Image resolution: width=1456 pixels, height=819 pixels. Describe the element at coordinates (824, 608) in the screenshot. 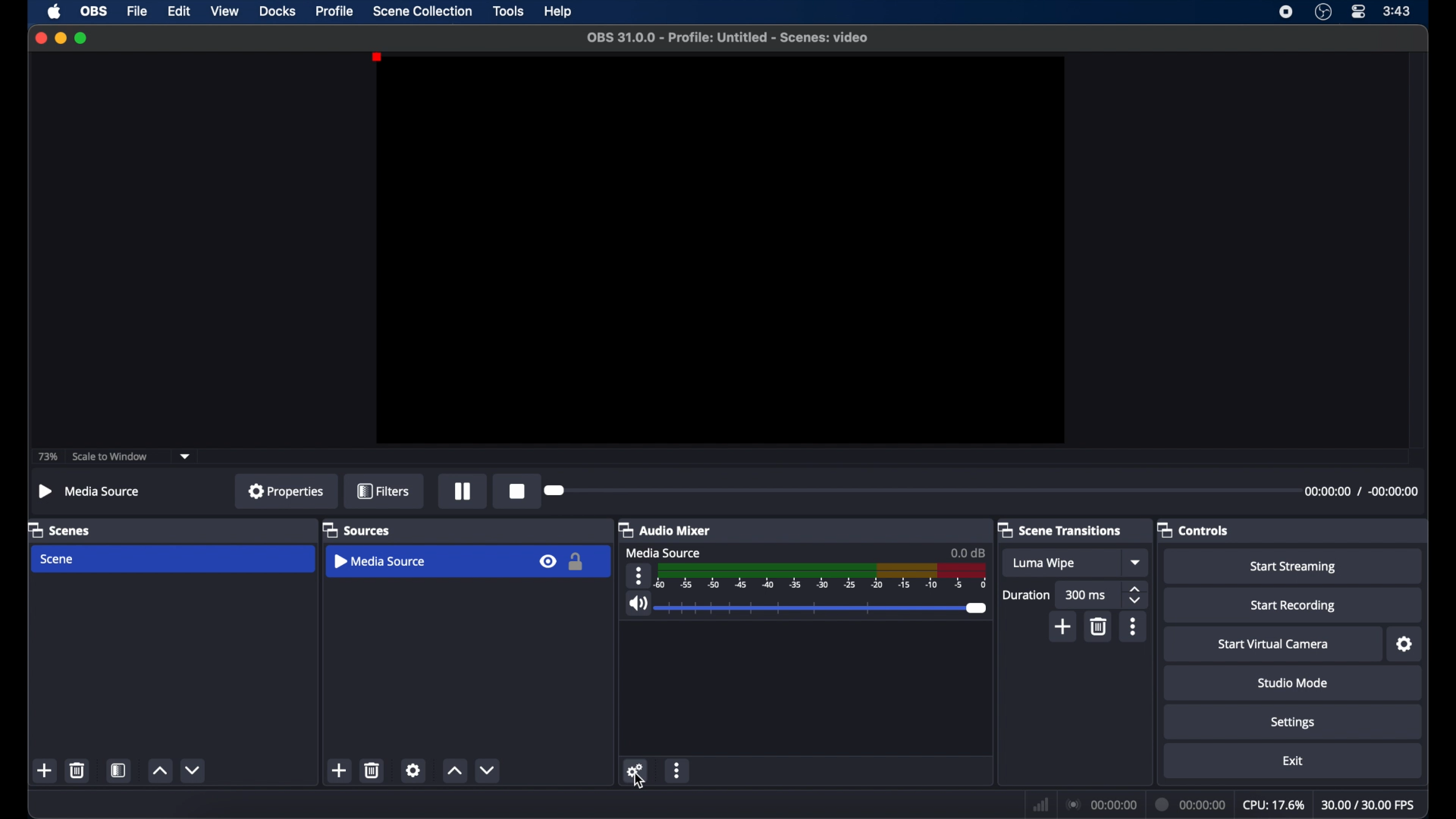

I see `slider` at that location.